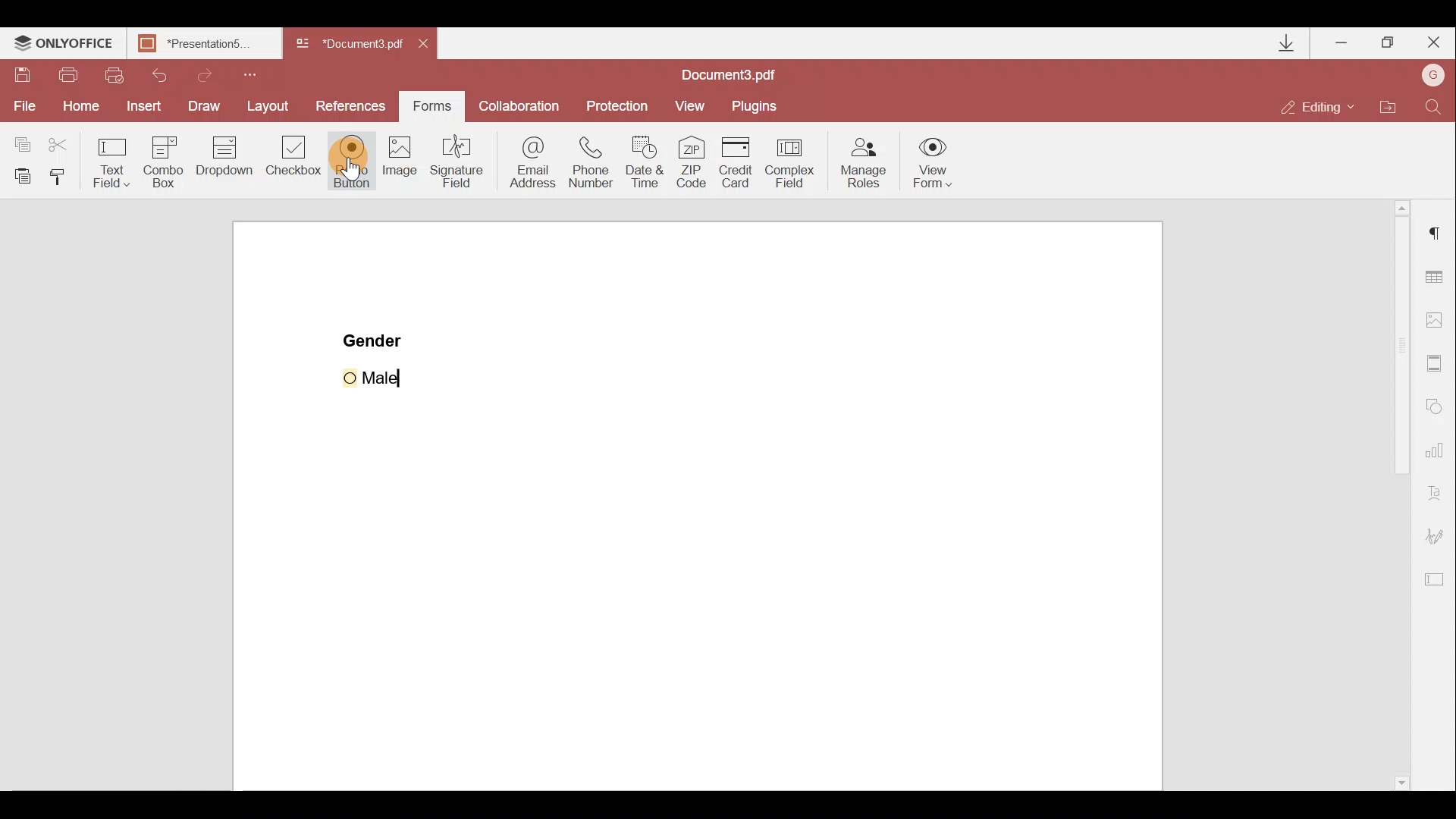 Image resolution: width=1456 pixels, height=819 pixels. What do you see at coordinates (70, 74) in the screenshot?
I see `Print file` at bounding box center [70, 74].